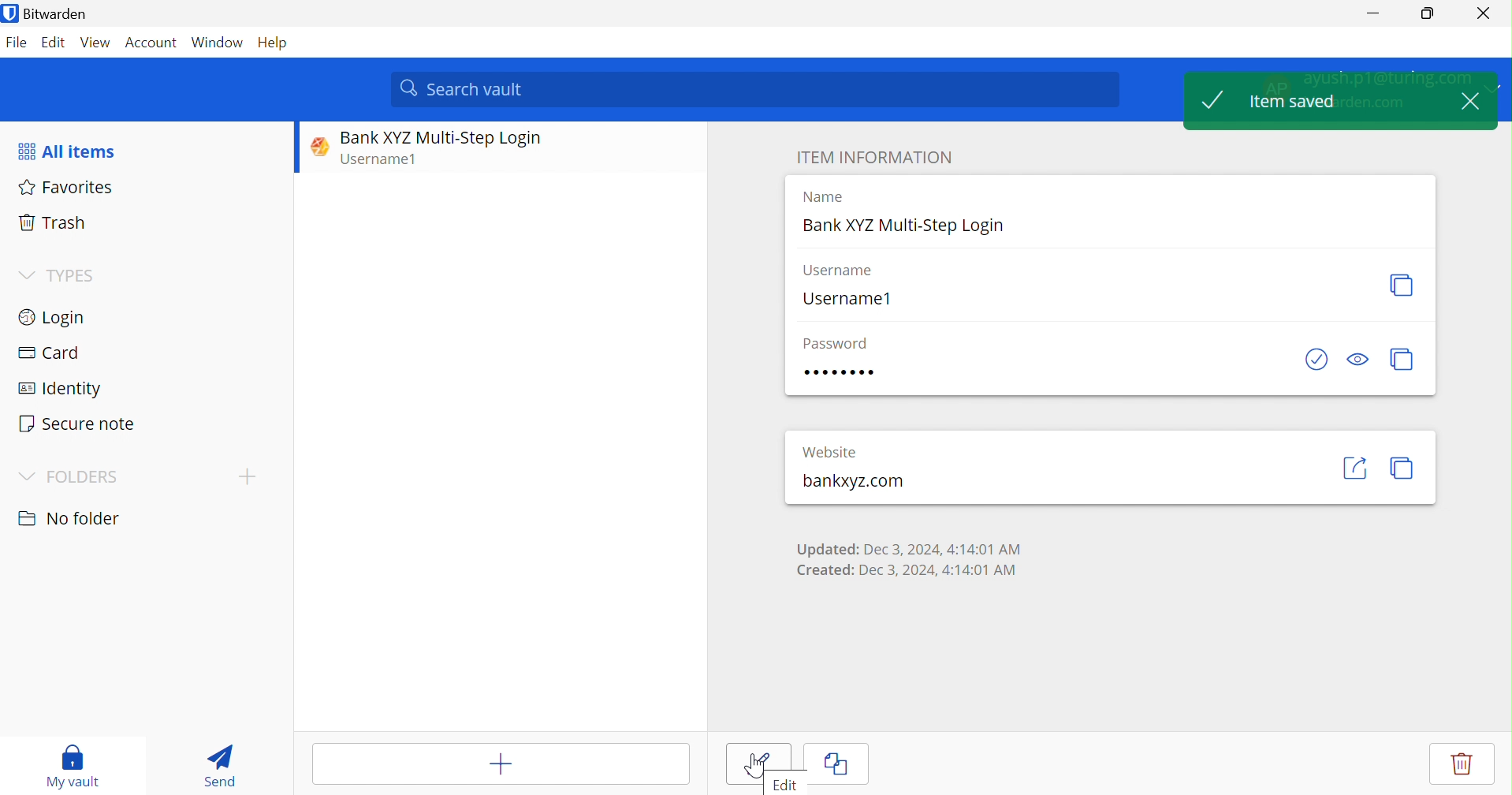  I want to click on Item information, so click(883, 159).